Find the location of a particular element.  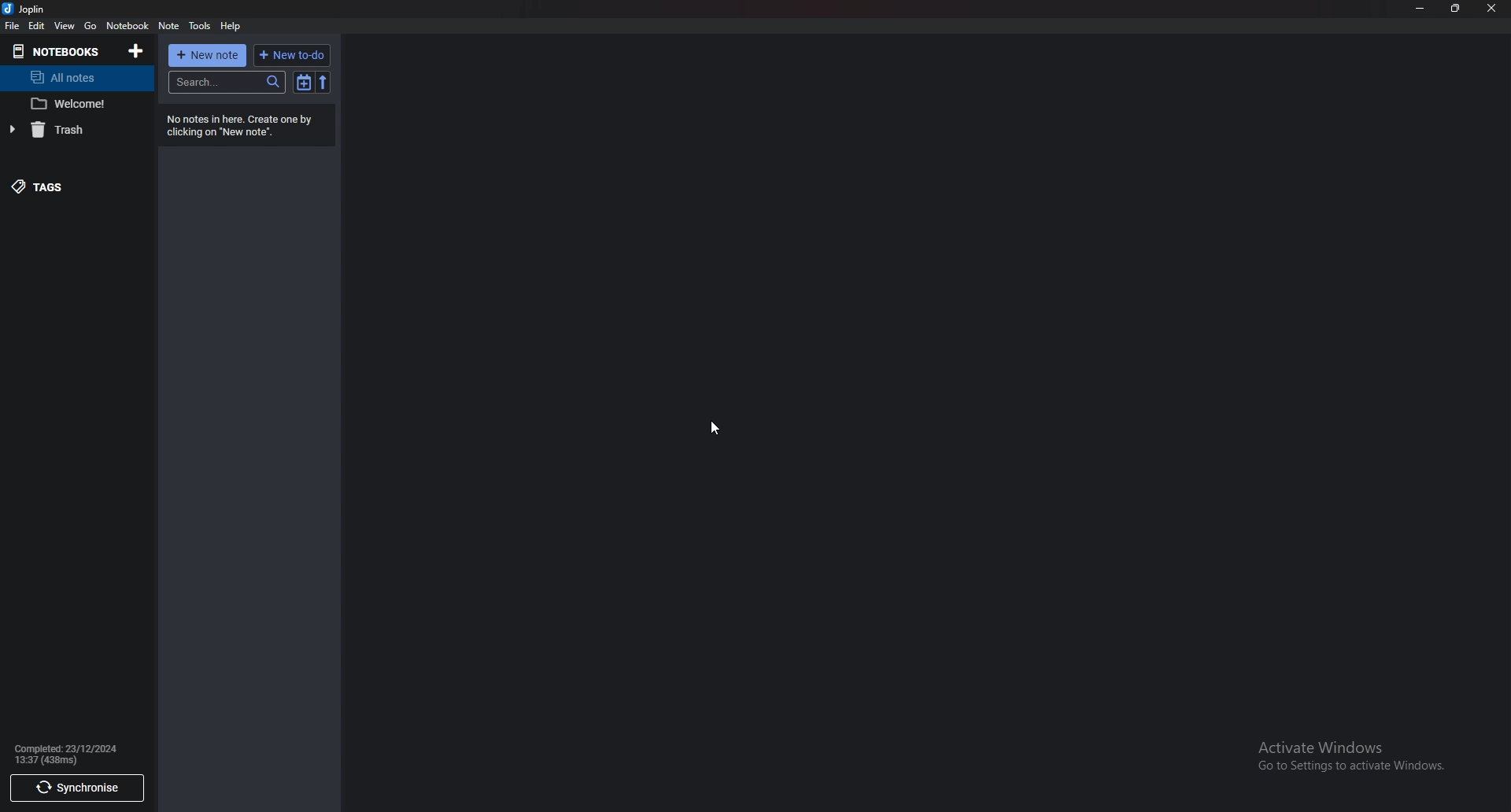

toggle sort order is located at coordinates (304, 83).